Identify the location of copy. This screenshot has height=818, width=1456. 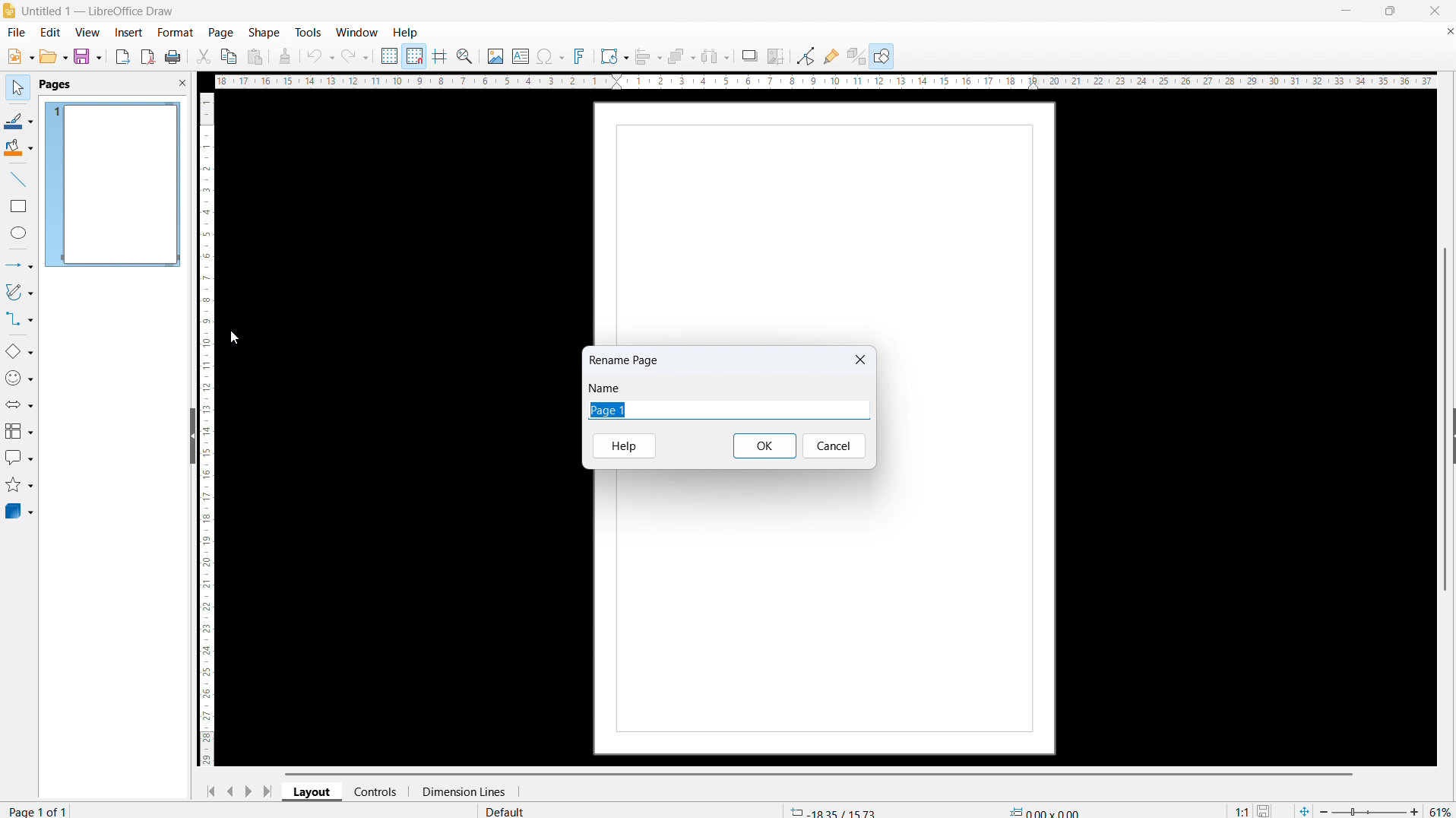
(228, 55).